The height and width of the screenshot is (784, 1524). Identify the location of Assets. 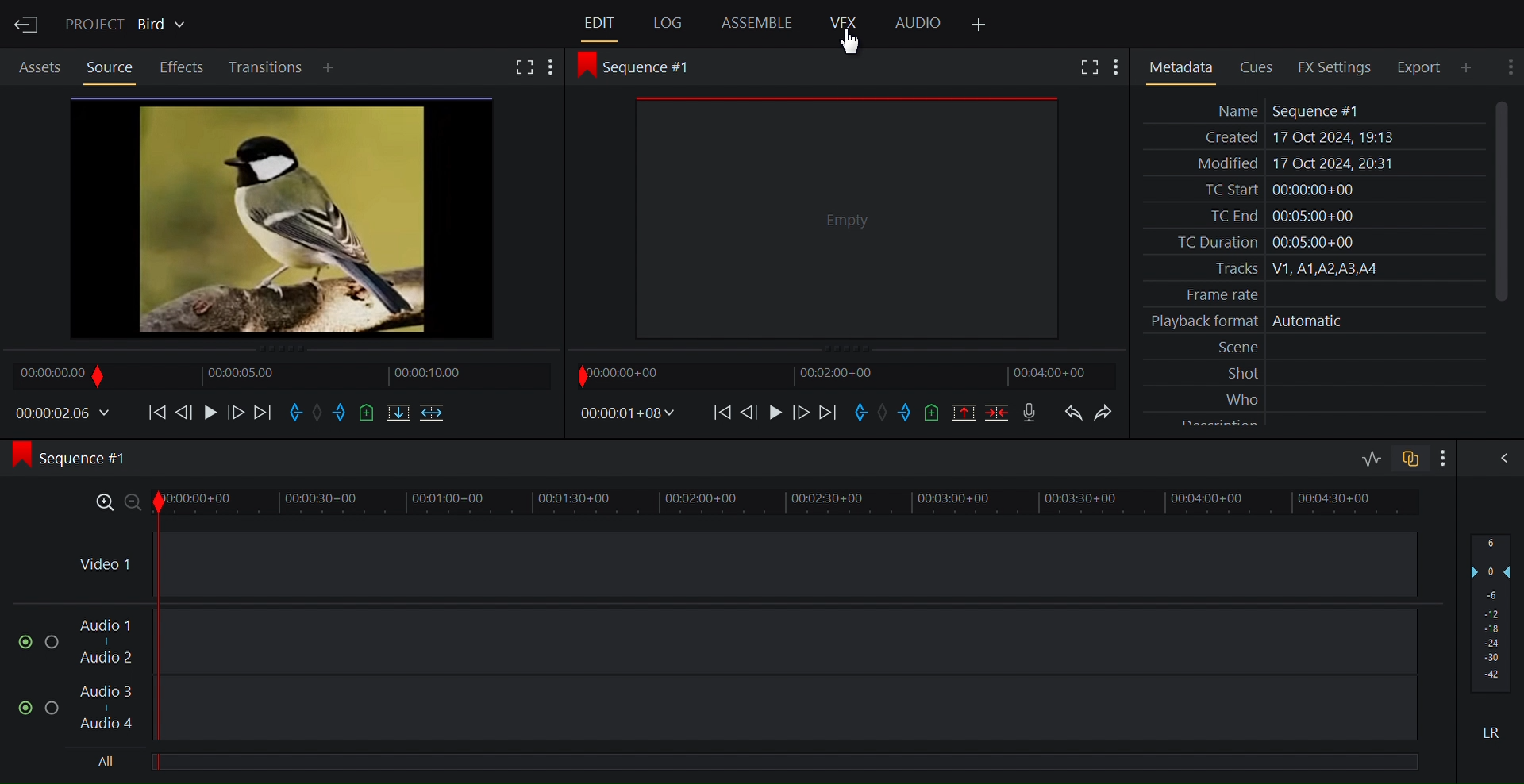
(41, 67).